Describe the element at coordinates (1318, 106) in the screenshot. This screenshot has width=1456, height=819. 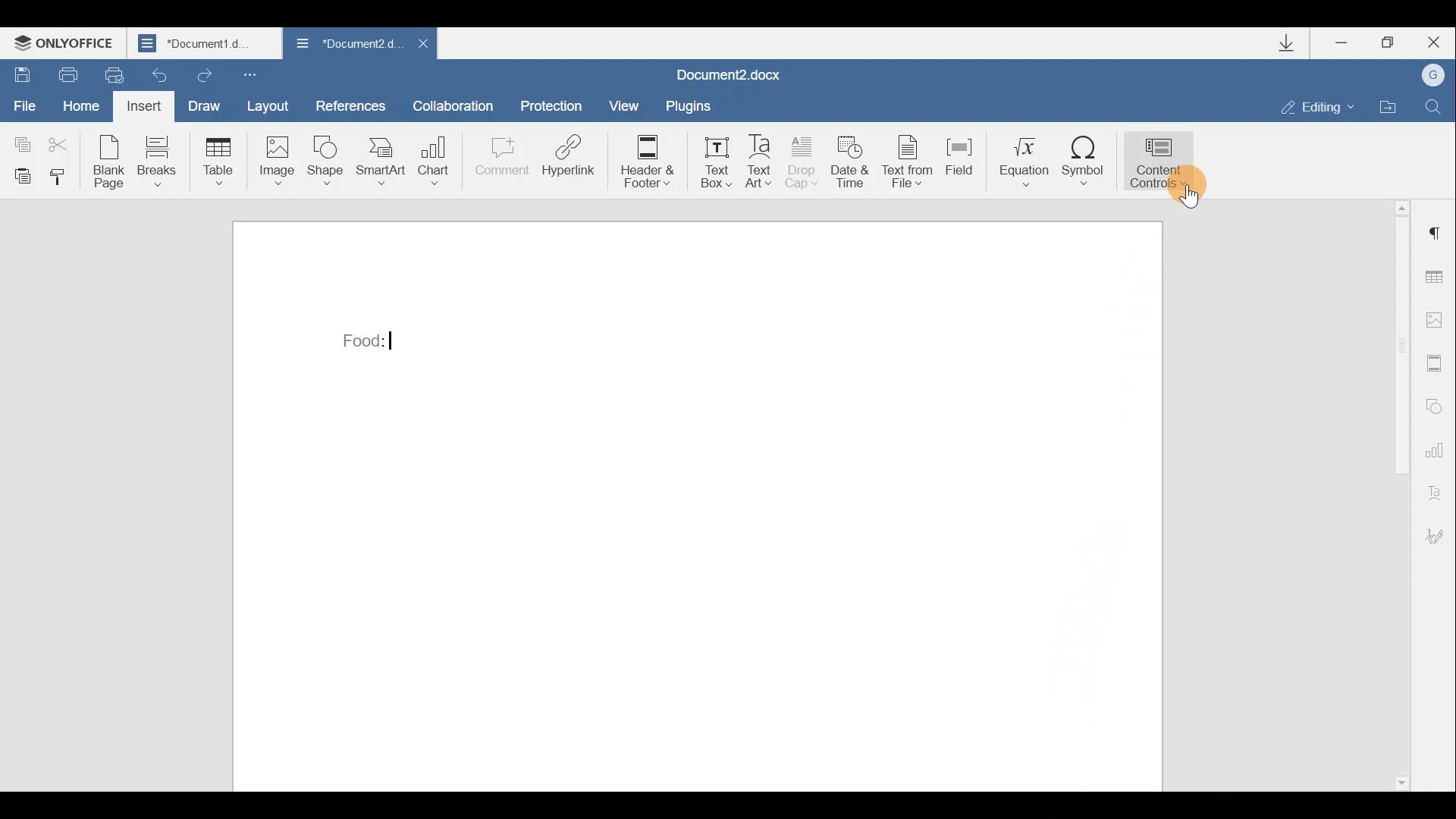
I see `Editing mode` at that location.